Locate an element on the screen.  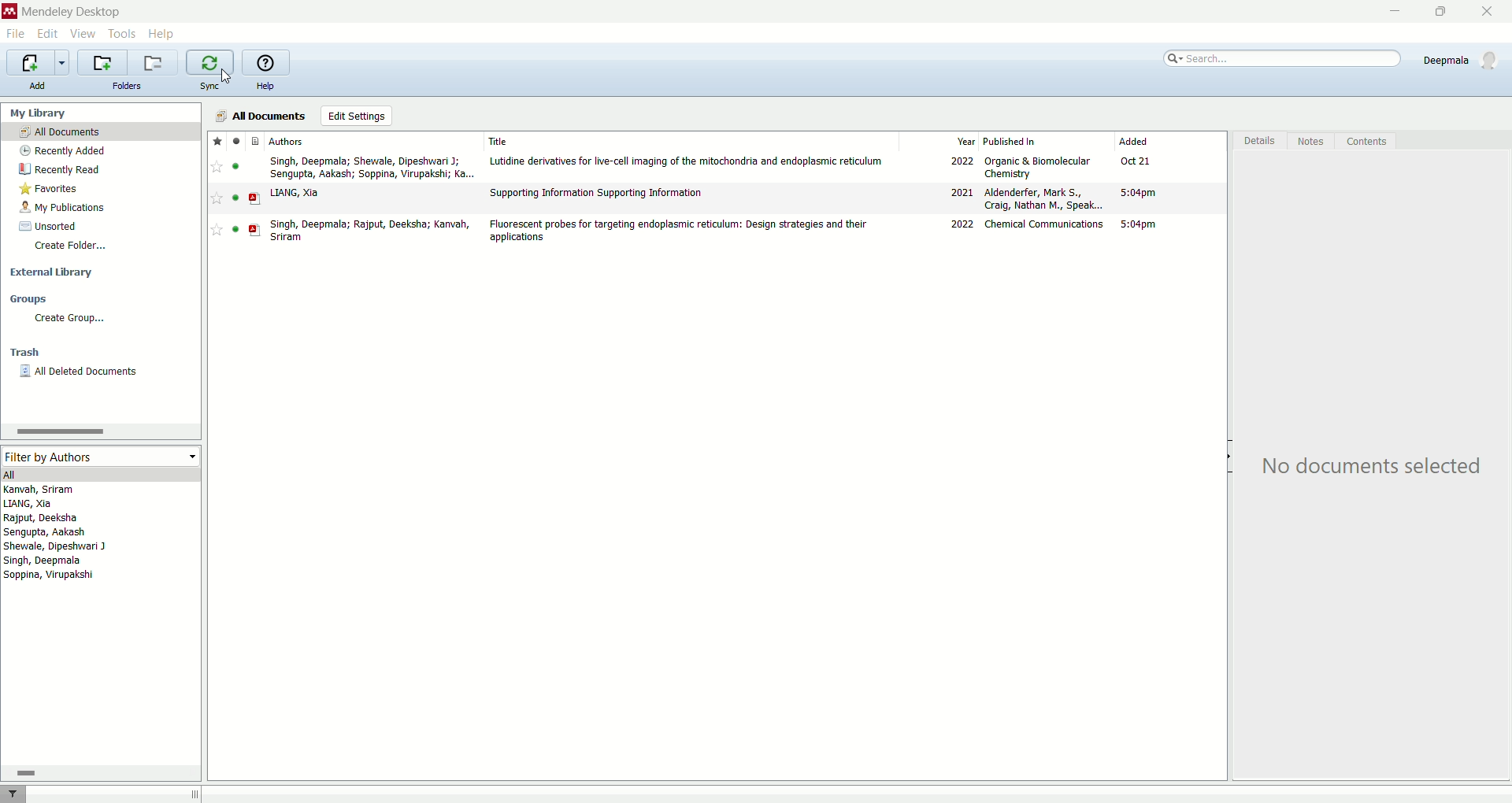
notes is located at coordinates (1311, 141).